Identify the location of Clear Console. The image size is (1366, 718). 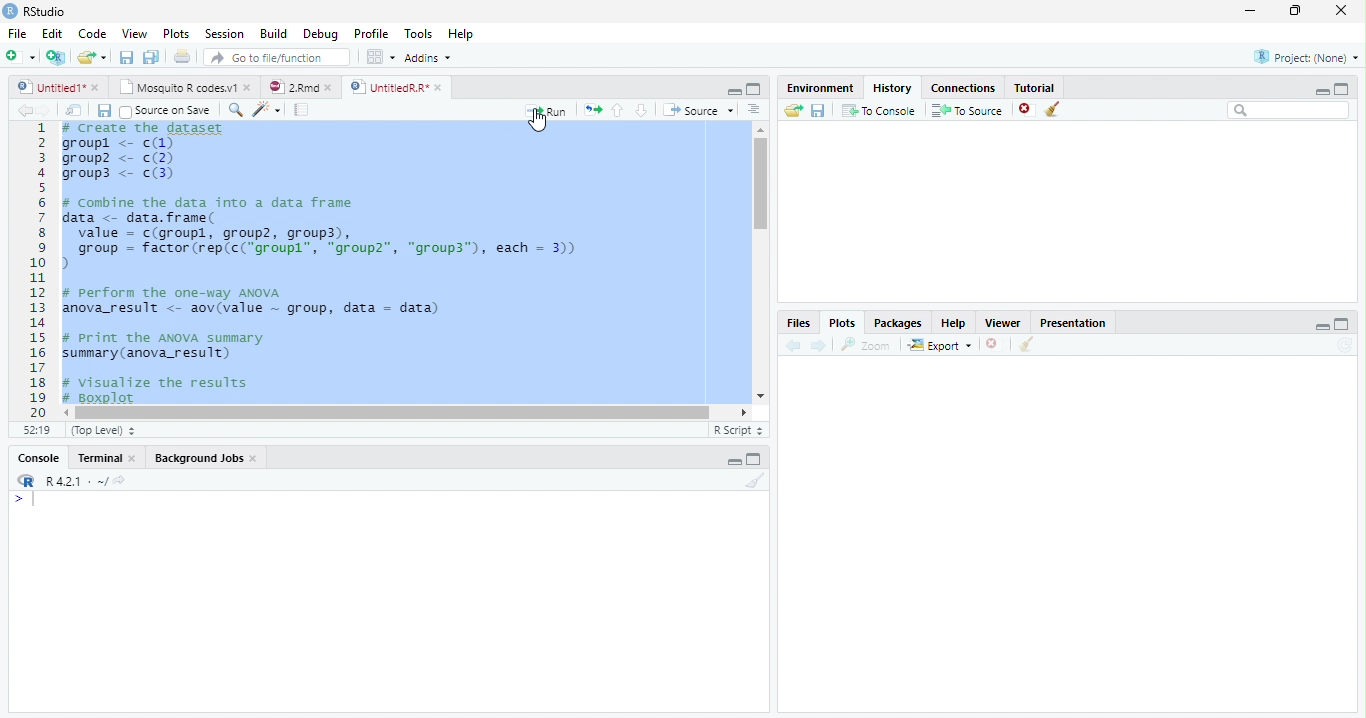
(1024, 345).